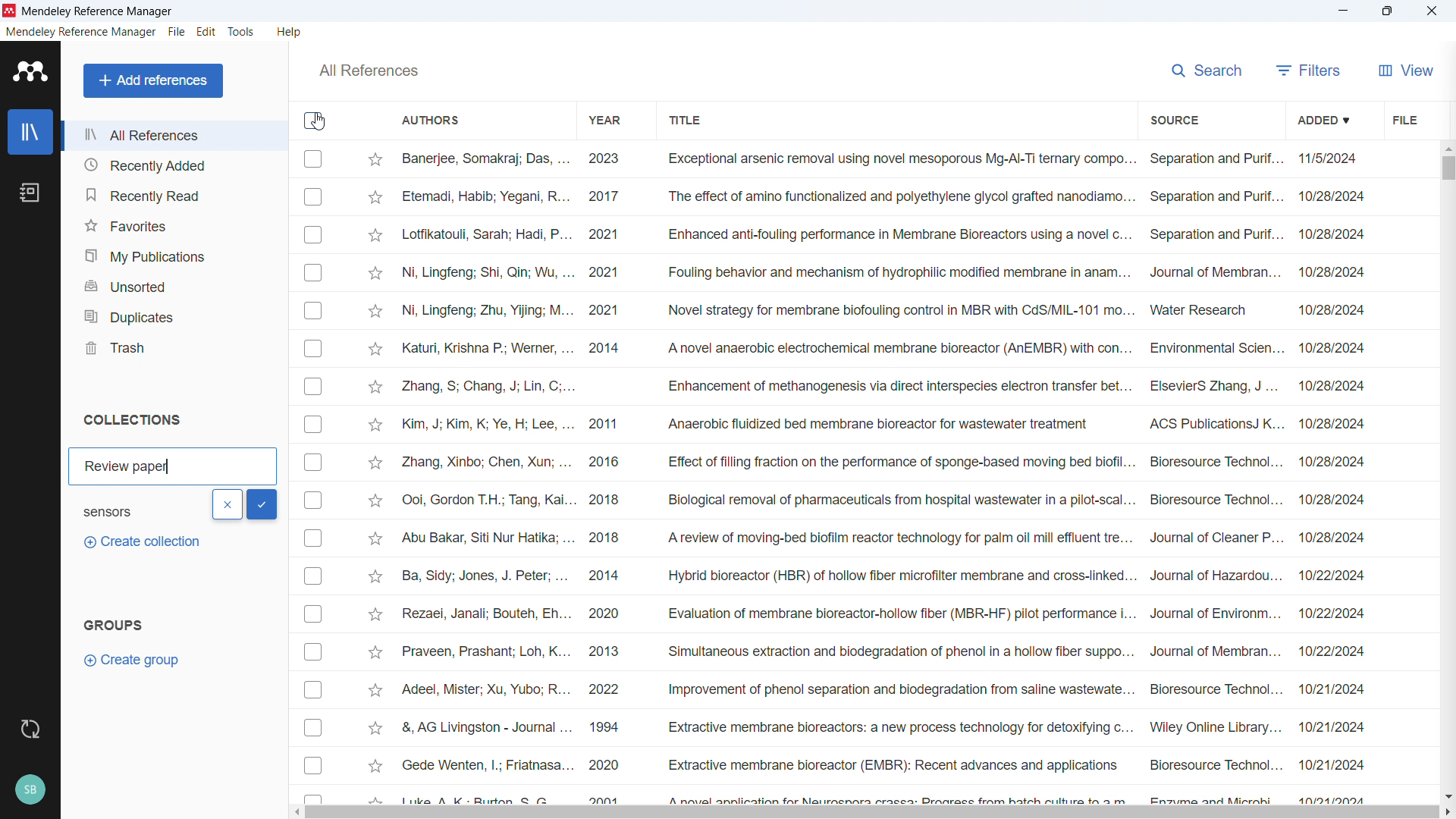 The width and height of the screenshot is (1456, 819). Describe the element at coordinates (375, 425) in the screenshot. I see `Star mark respective publication` at that location.